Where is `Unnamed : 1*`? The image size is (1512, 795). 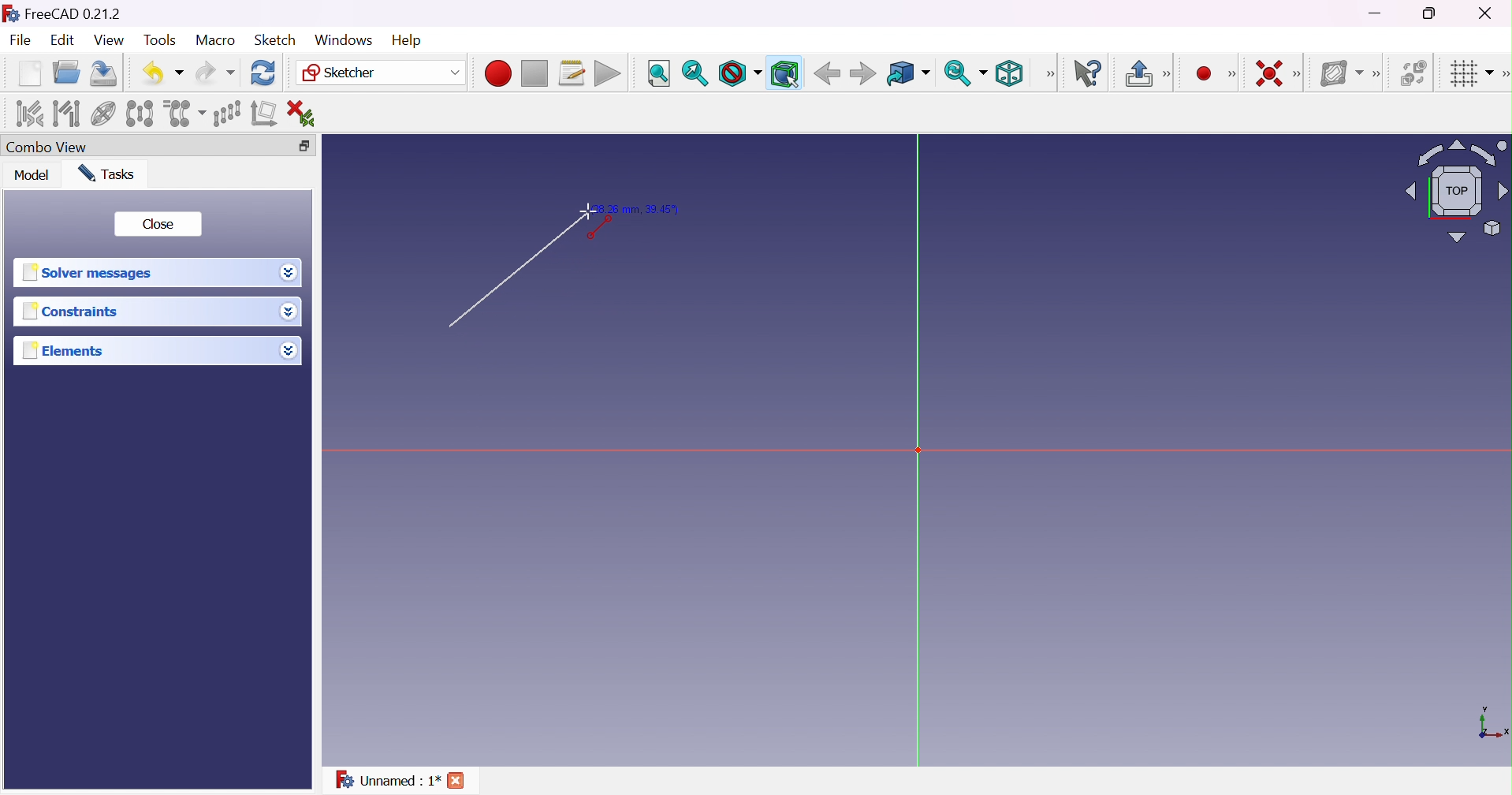 Unnamed : 1* is located at coordinates (388, 782).